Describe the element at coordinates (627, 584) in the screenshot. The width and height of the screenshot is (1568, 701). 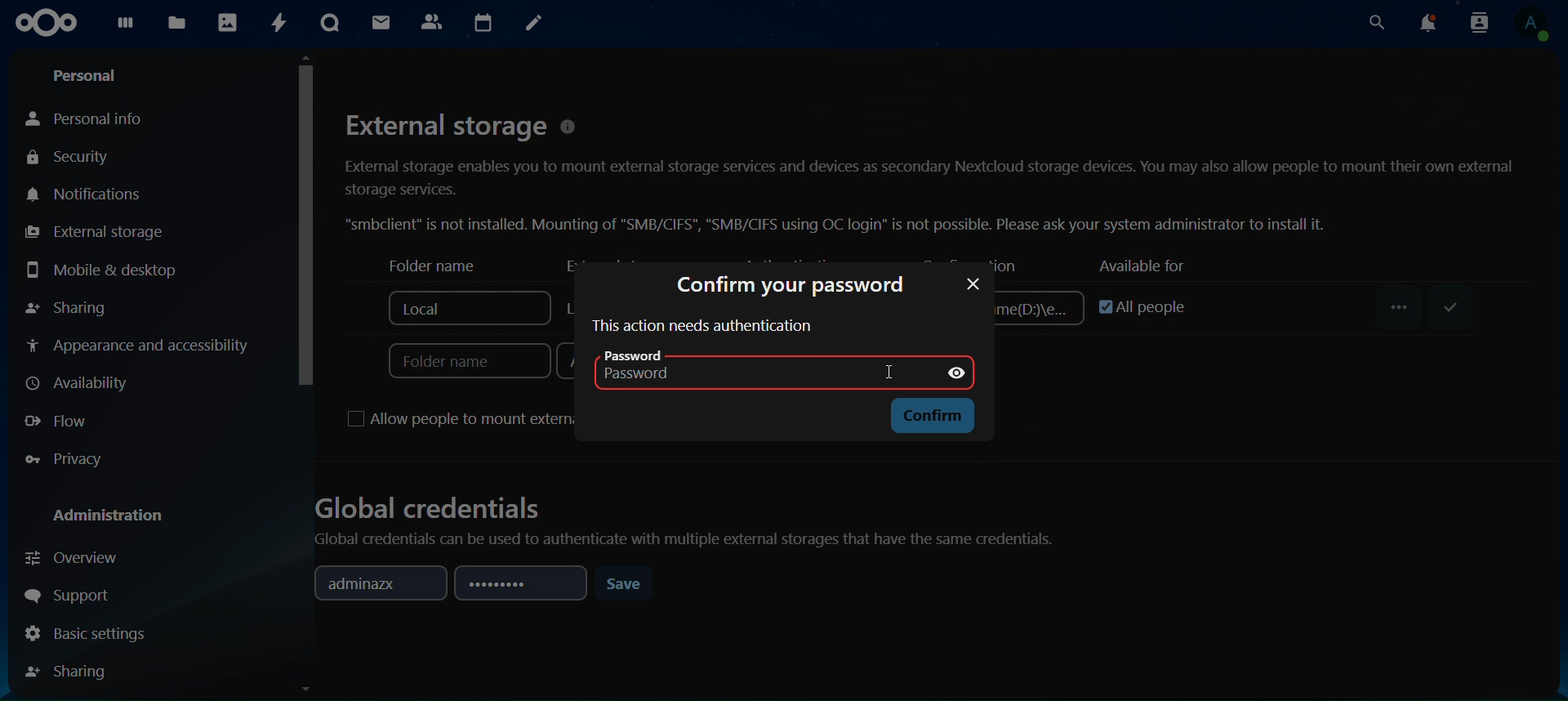
I see `save` at that location.